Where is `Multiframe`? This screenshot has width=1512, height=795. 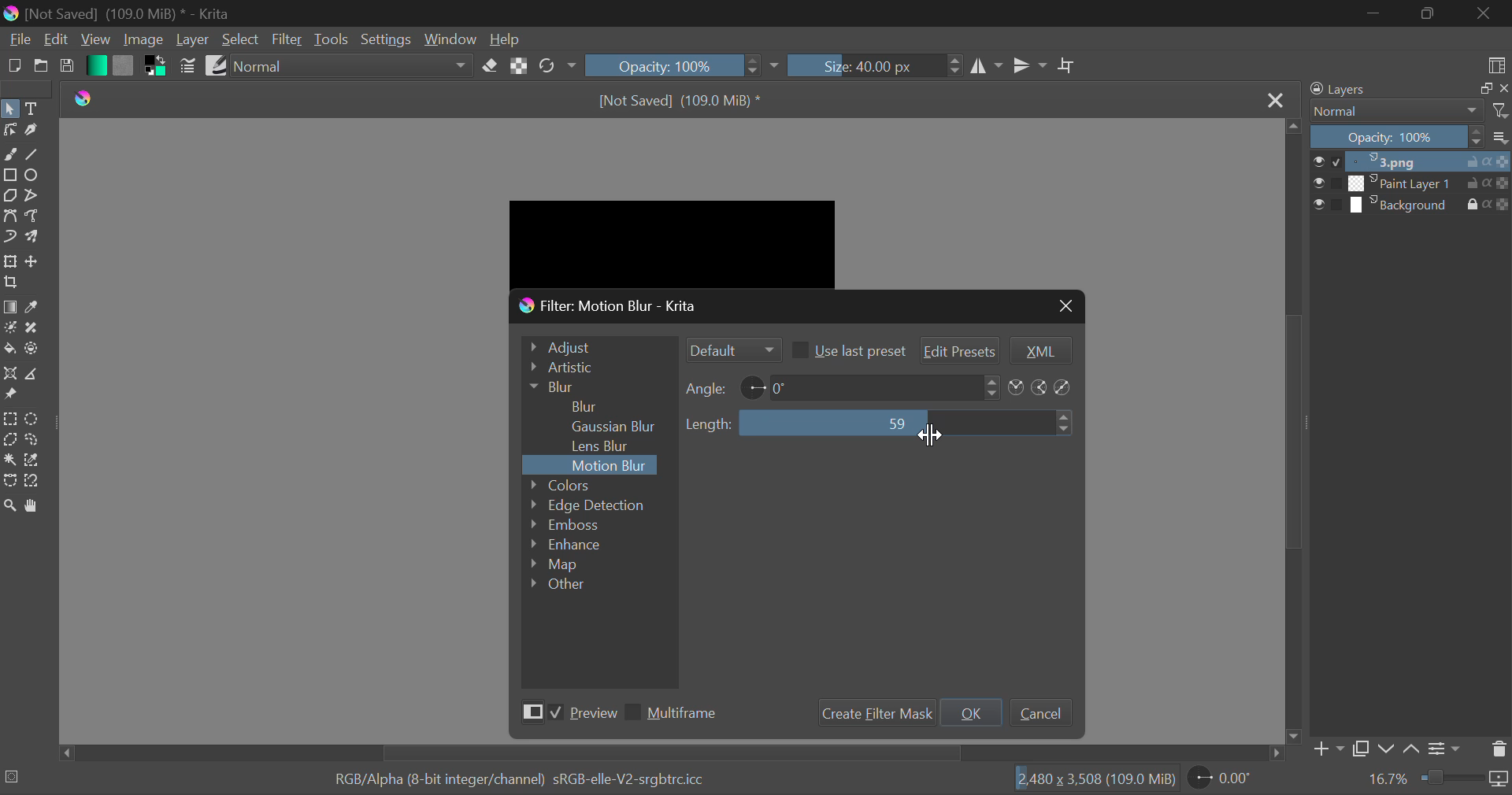 Multiframe is located at coordinates (676, 715).